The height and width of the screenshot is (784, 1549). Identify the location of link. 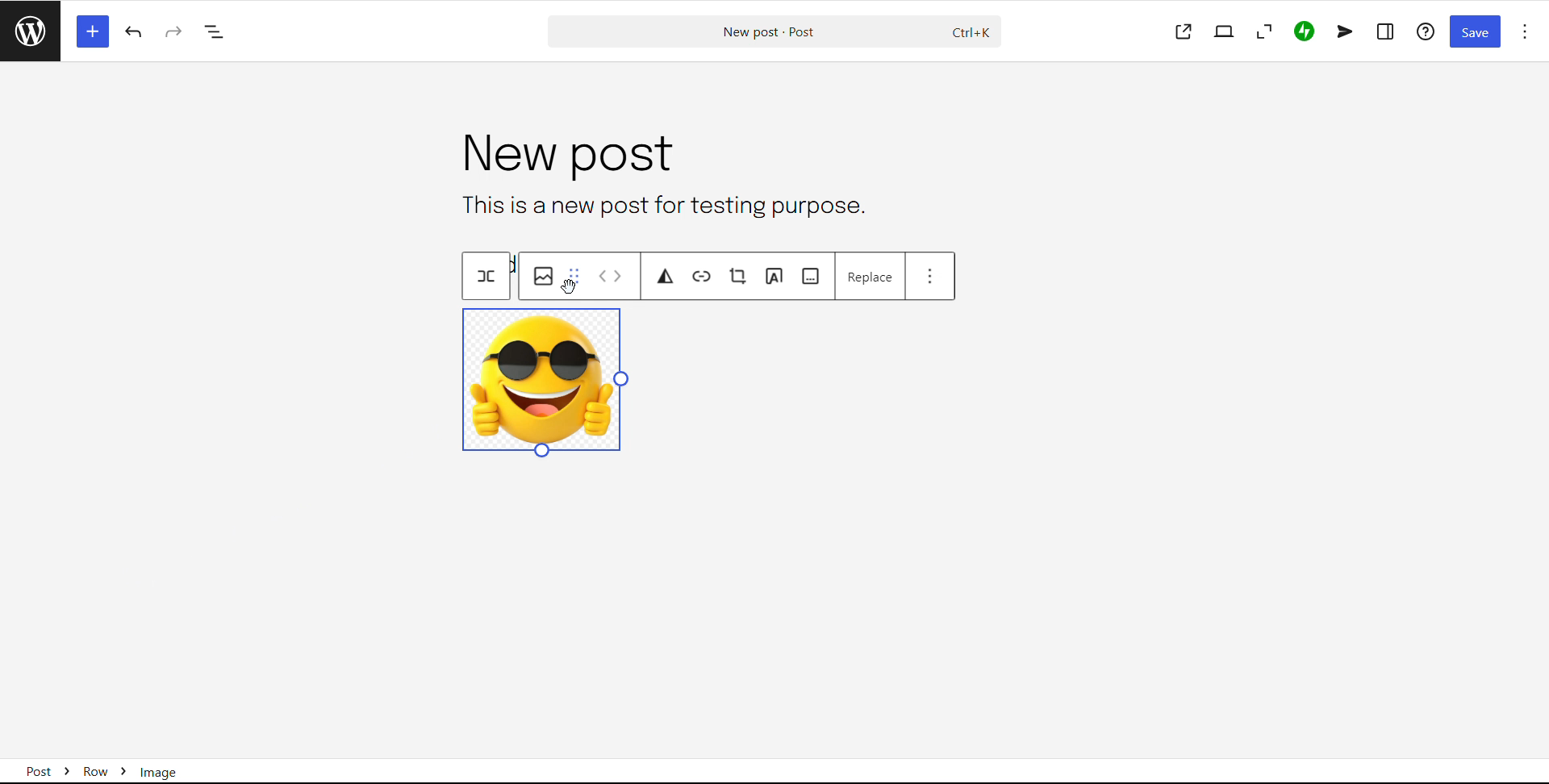
(702, 277).